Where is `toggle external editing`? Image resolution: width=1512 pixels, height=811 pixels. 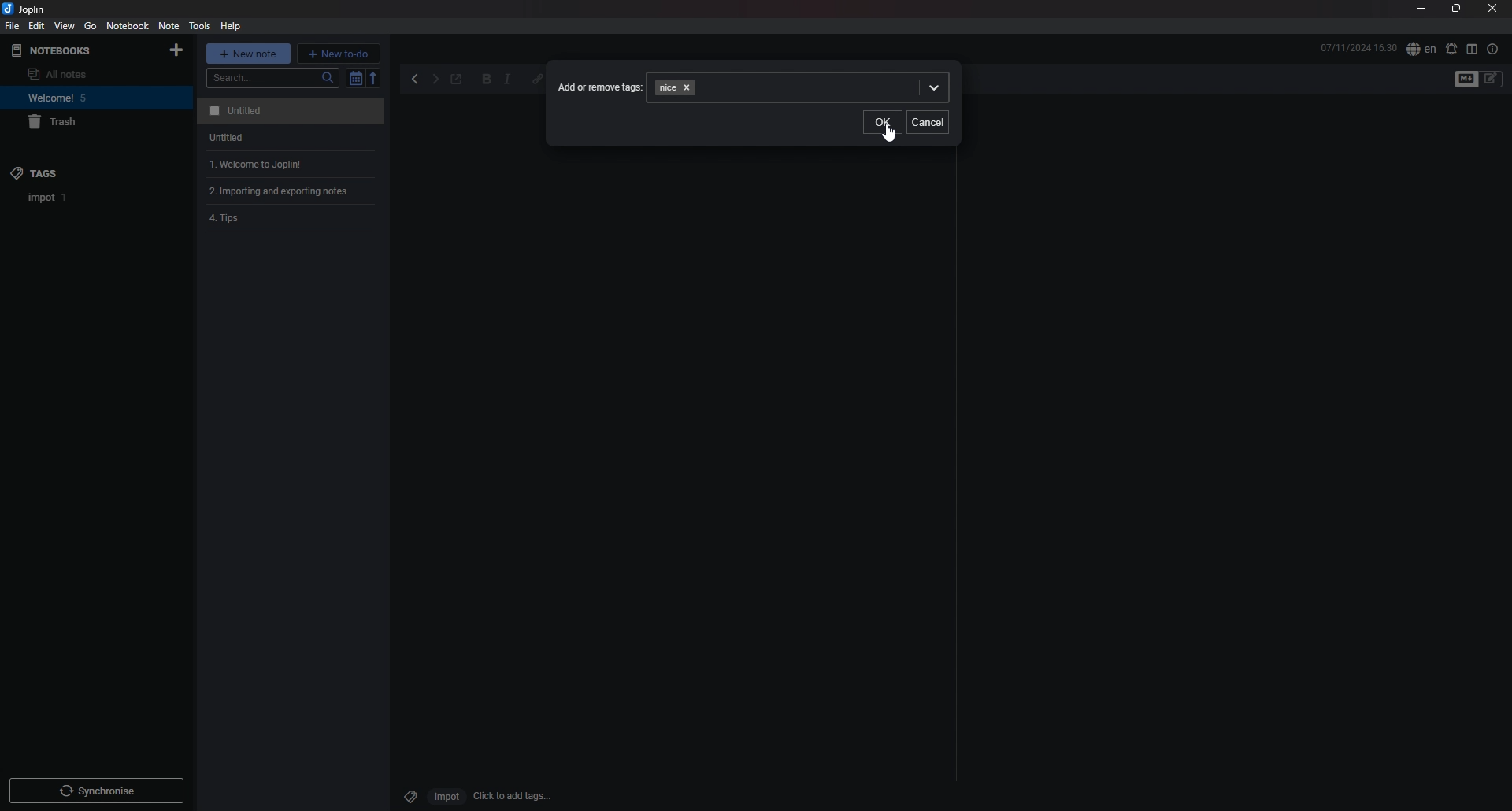
toggle external editing is located at coordinates (457, 80).